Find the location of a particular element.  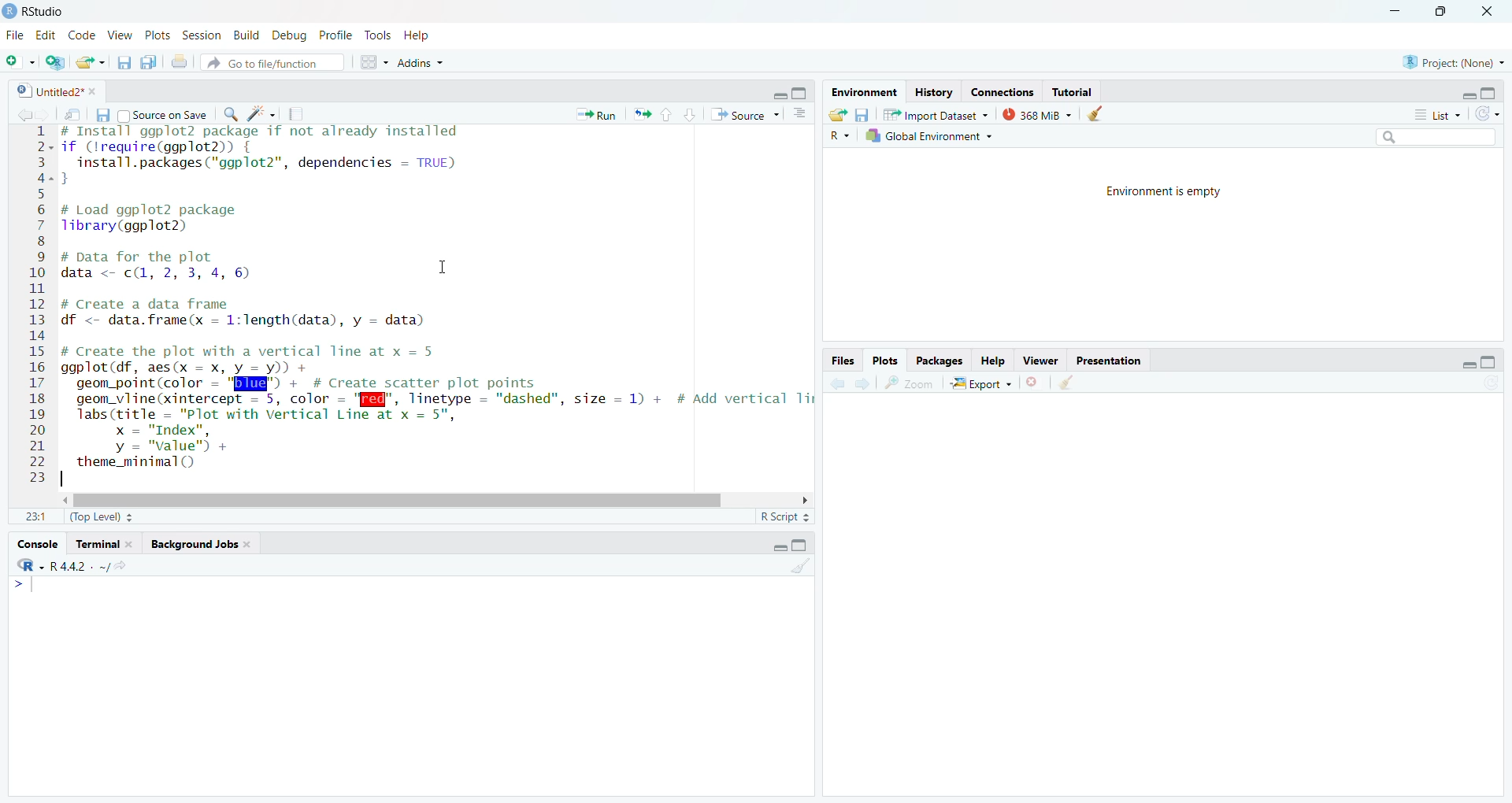

Background Jobs. is located at coordinates (207, 545).